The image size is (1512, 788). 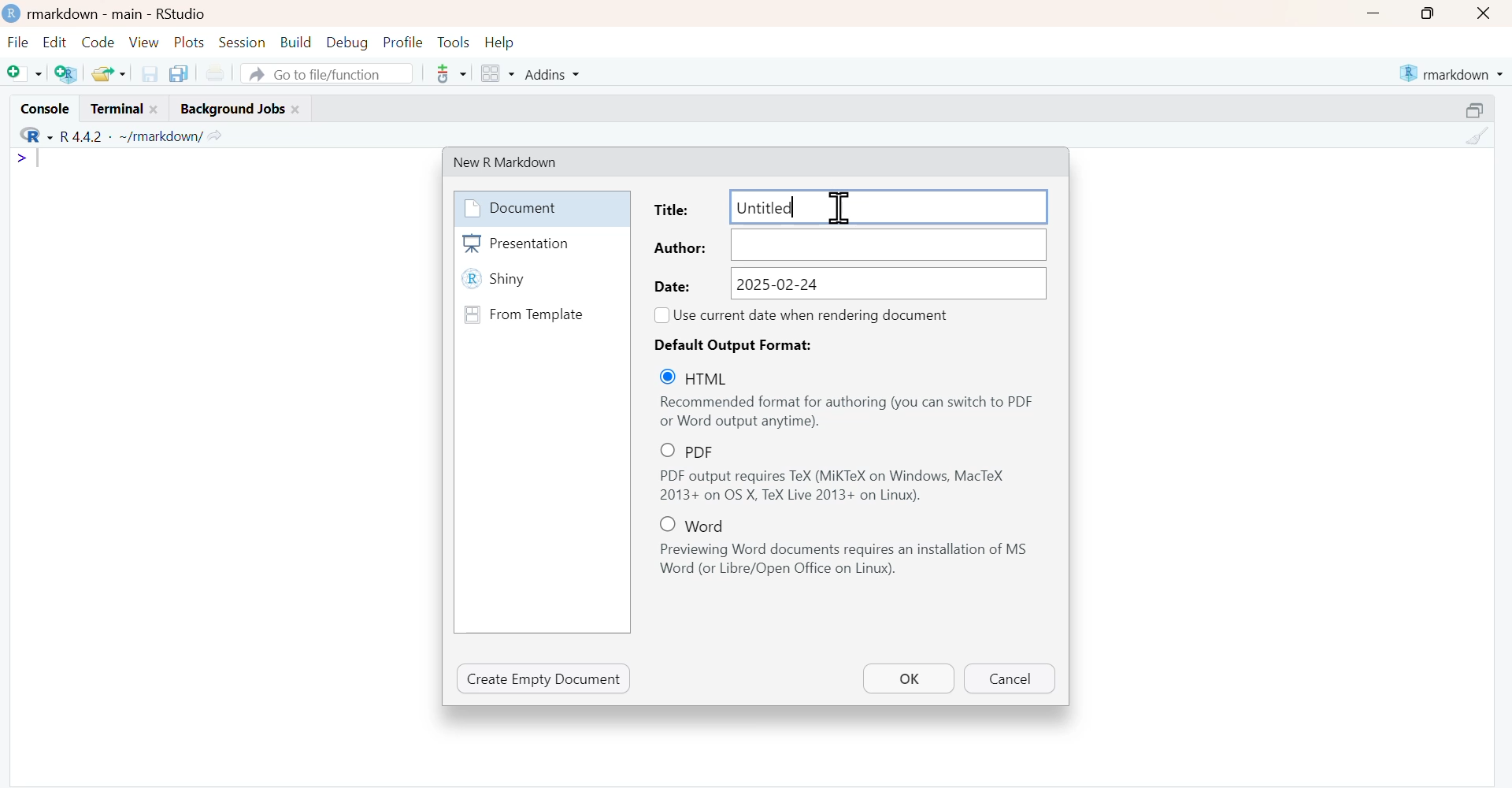 I want to click on maximize, so click(x=1476, y=109).